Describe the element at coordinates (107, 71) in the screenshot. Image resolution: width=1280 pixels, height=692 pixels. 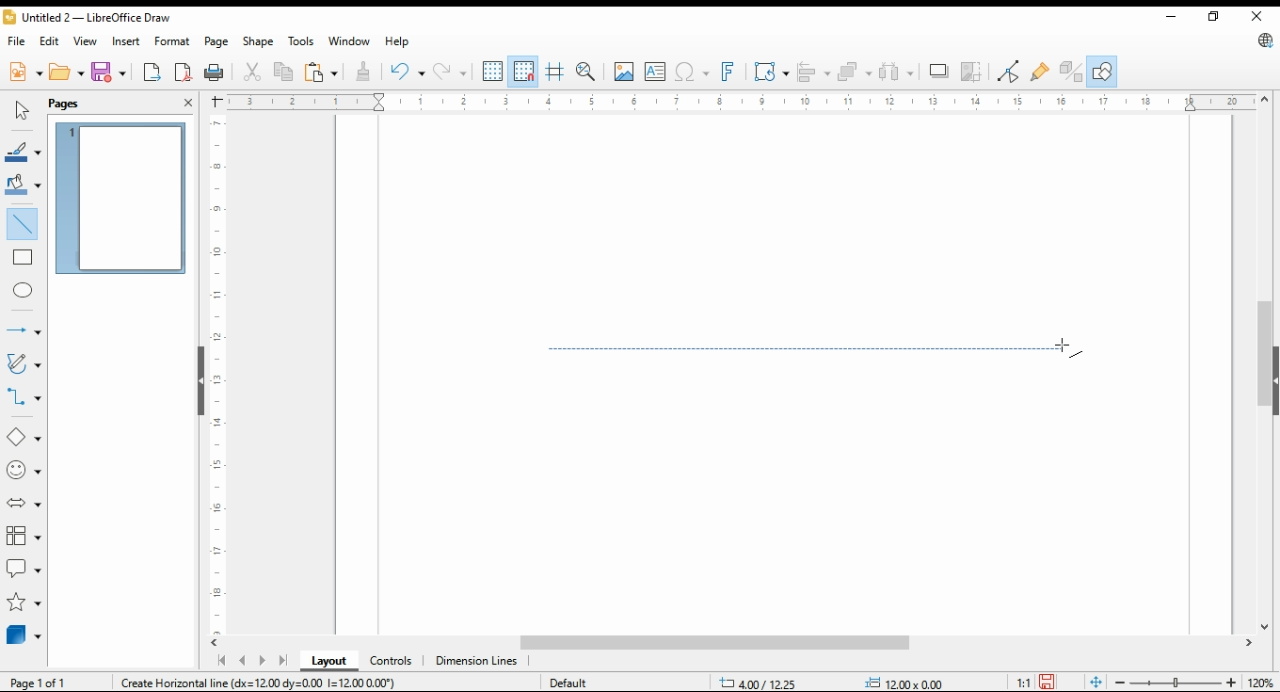
I see `save` at that location.